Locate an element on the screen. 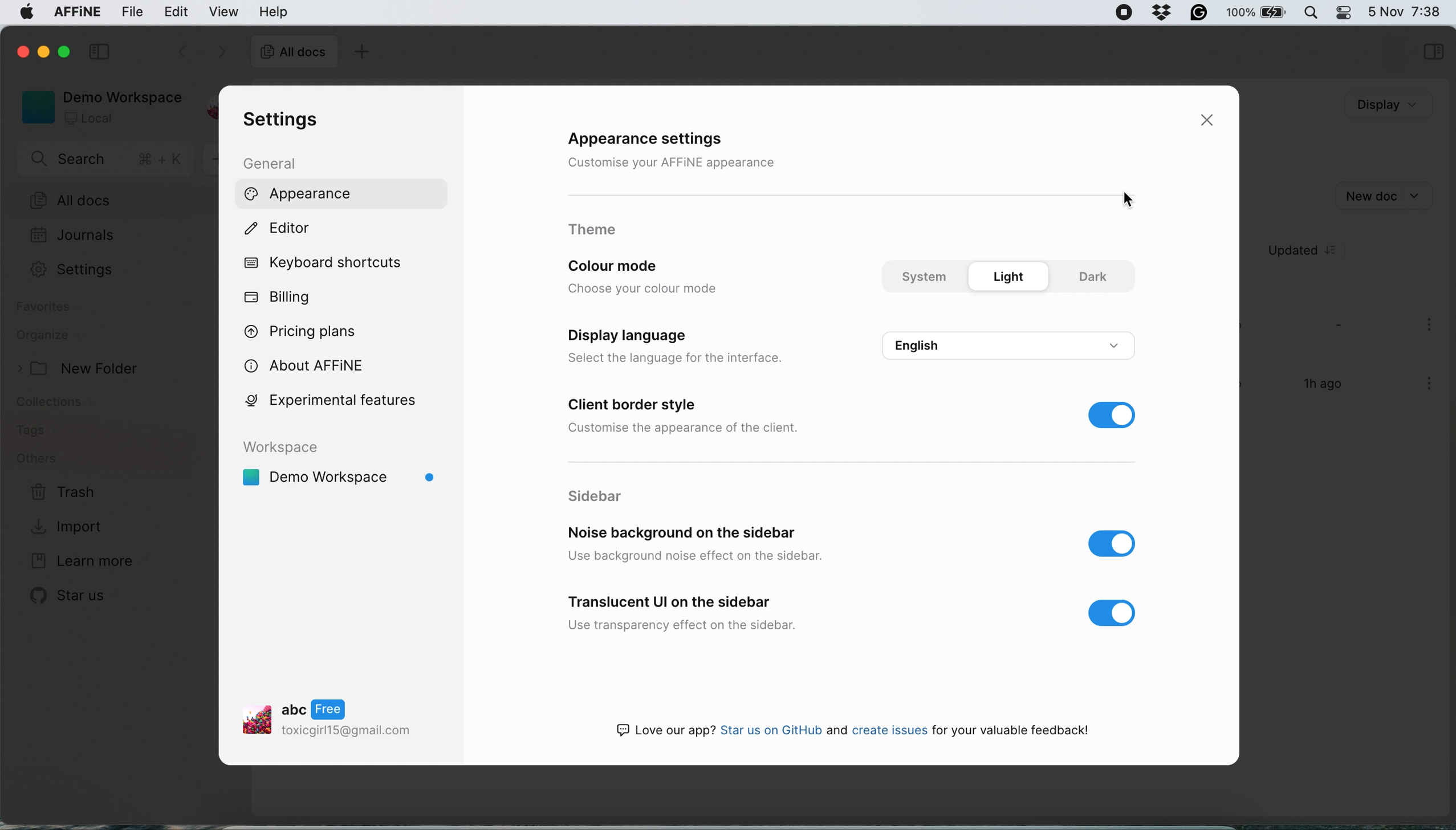 This screenshot has width=1456, height=830. close is located at coordinates (1206, 119).